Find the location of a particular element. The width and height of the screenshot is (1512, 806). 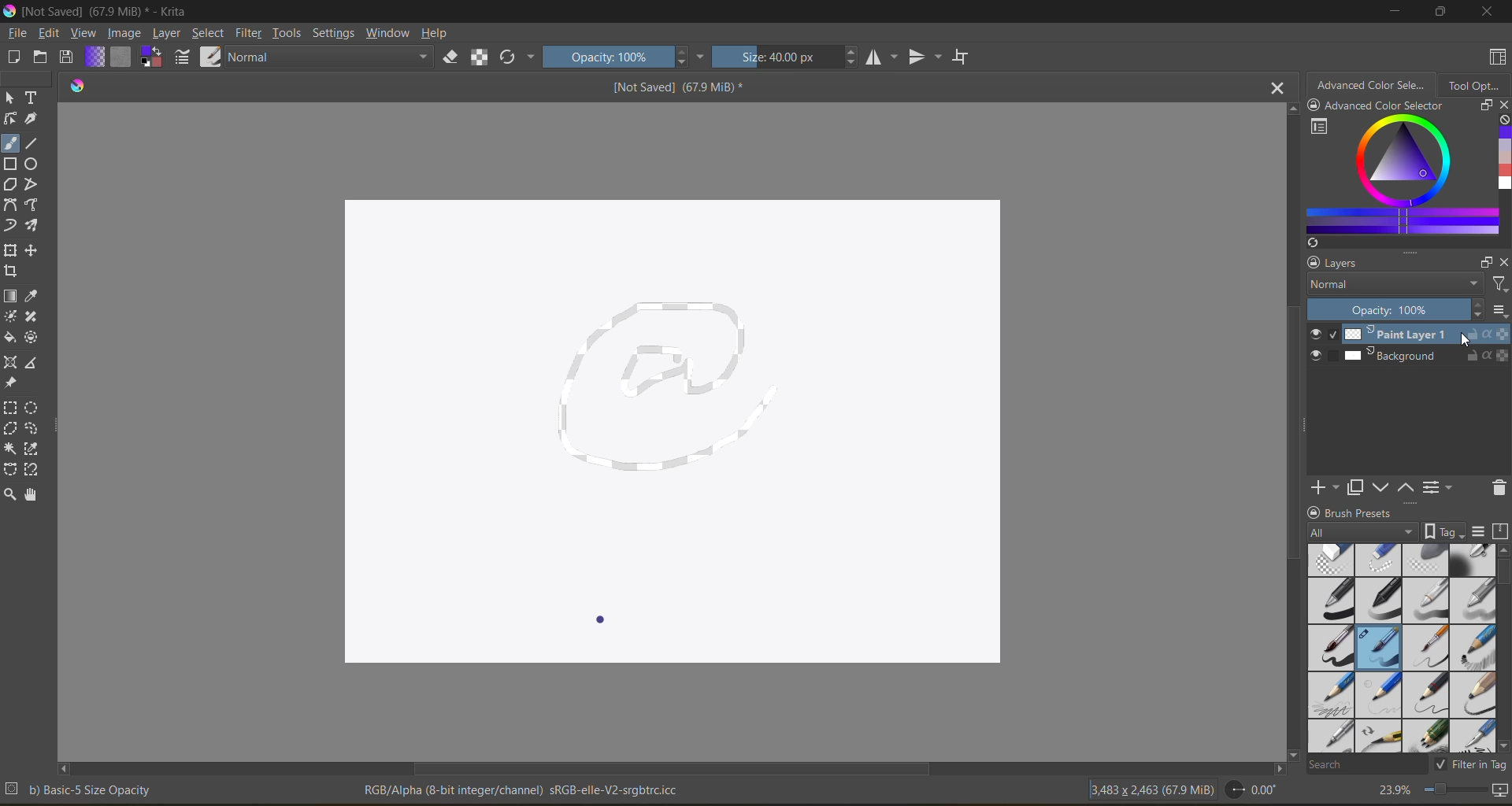

Brush presets is located at coordinates (1359, 512).